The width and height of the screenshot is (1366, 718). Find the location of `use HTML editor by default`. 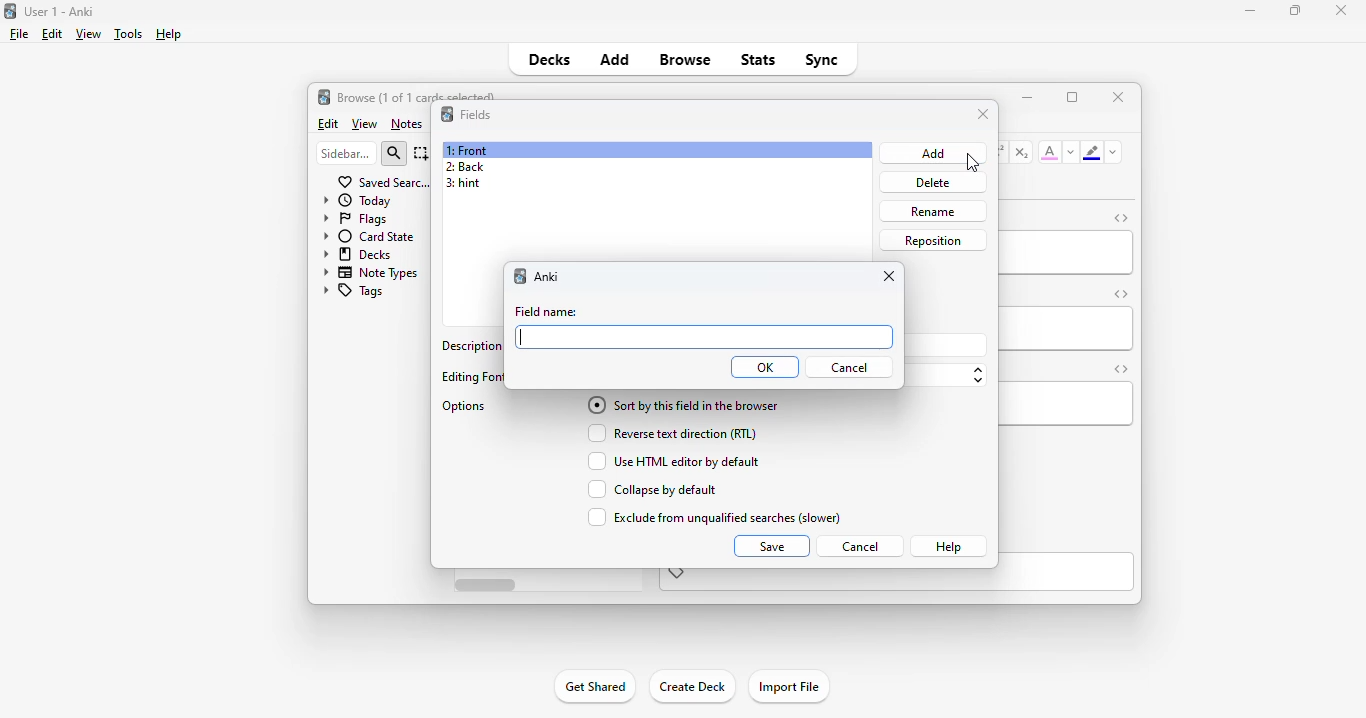

use HTML editor by default is located at coordinates (672, 461).